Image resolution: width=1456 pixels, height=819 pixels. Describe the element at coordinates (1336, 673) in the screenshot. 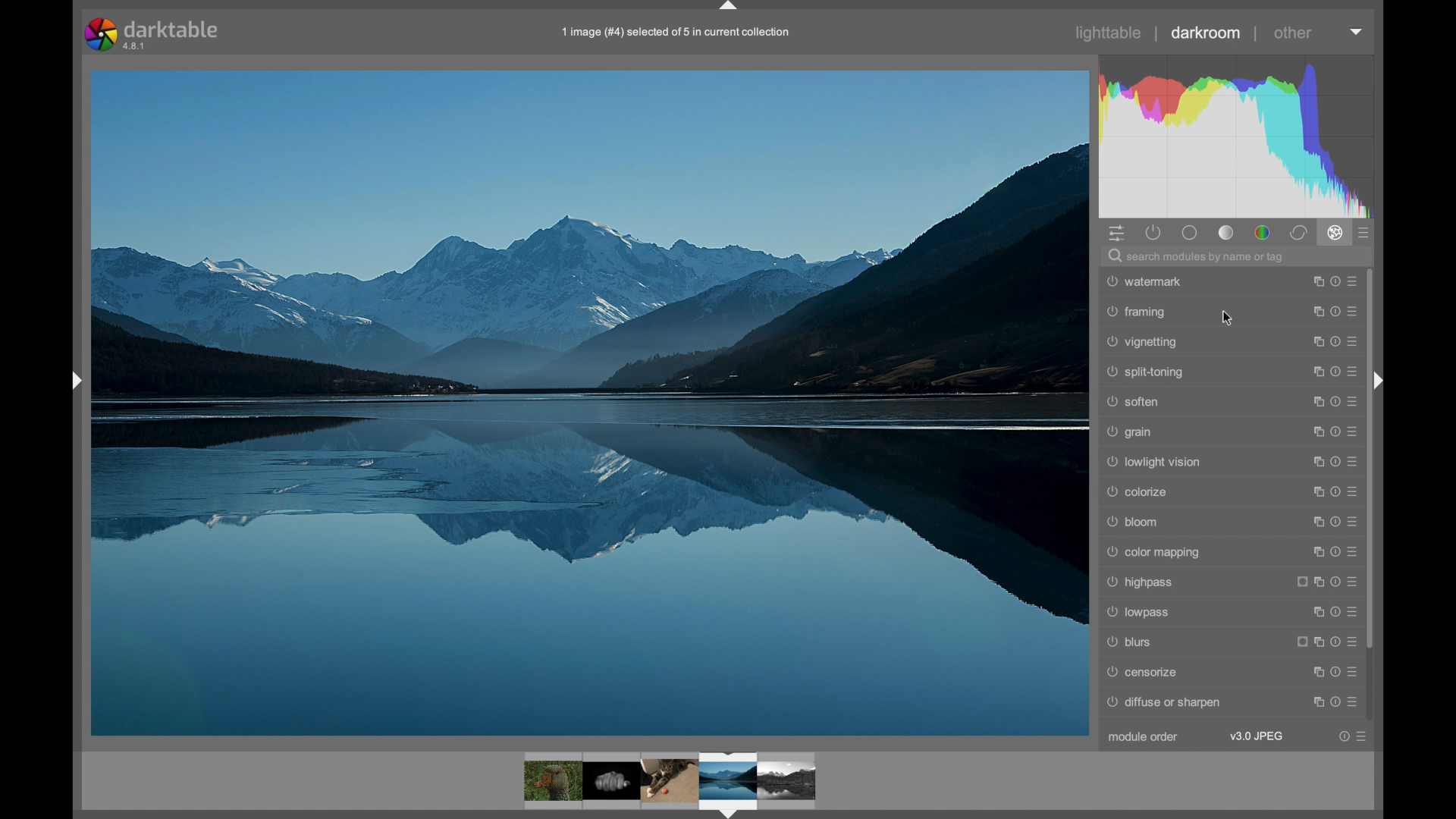

I see `more options` at that location.